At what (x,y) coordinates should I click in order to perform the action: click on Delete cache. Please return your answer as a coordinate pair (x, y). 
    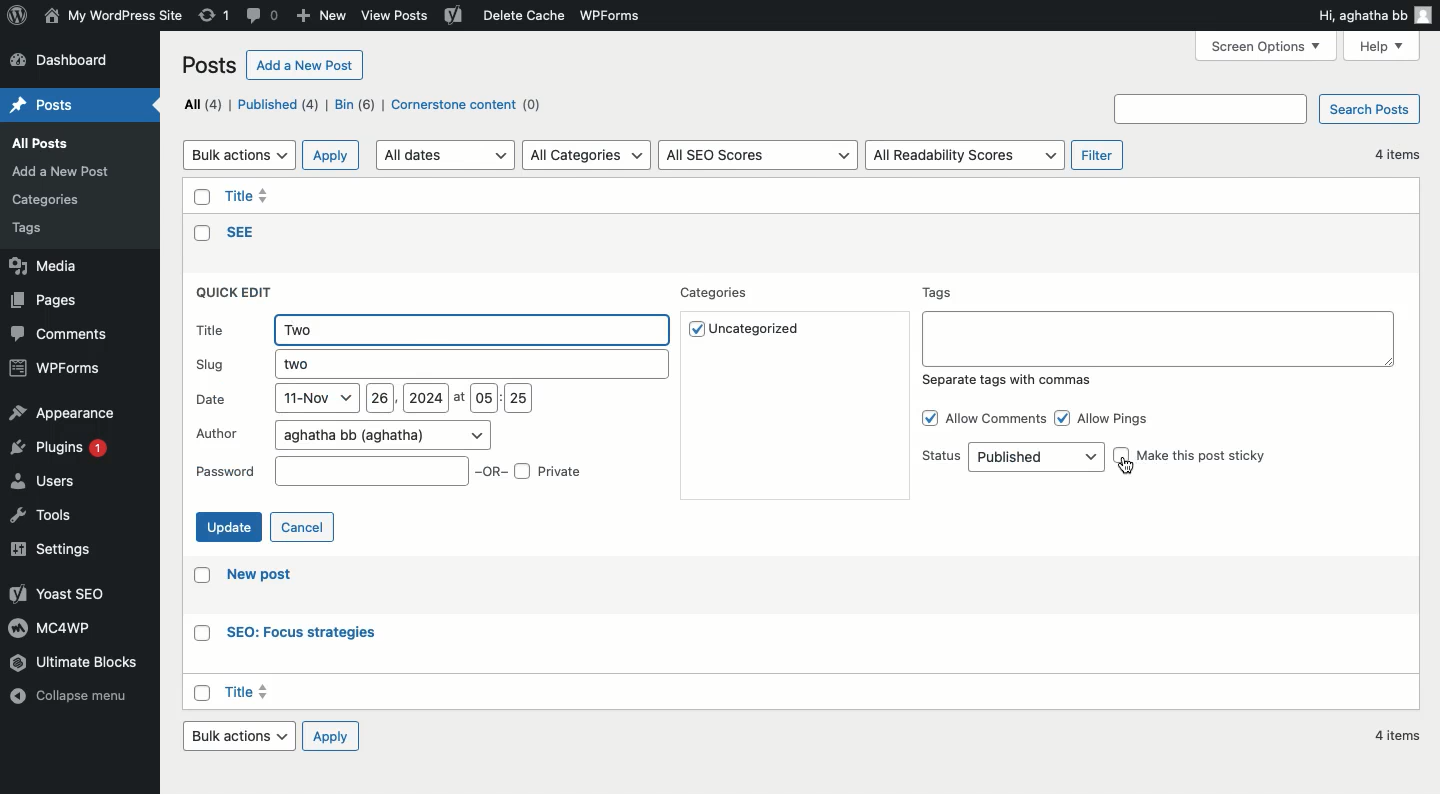
    Looking at the image, I should click on (520, 16).